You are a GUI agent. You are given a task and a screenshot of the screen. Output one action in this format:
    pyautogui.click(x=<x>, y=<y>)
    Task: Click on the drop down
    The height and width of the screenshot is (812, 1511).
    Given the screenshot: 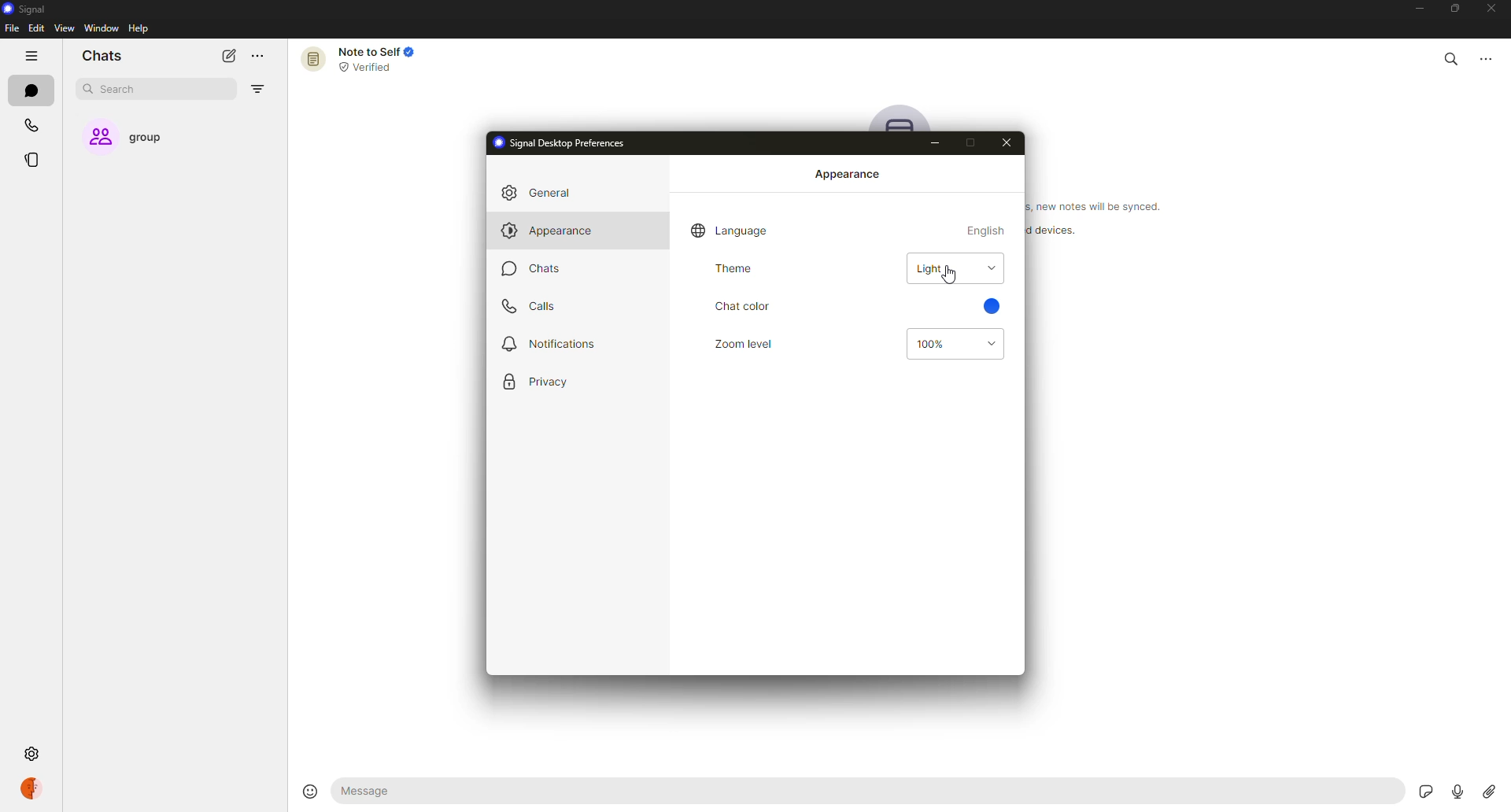 What is the action you would take?
    pyautogui.click(x=992, y=268)
    